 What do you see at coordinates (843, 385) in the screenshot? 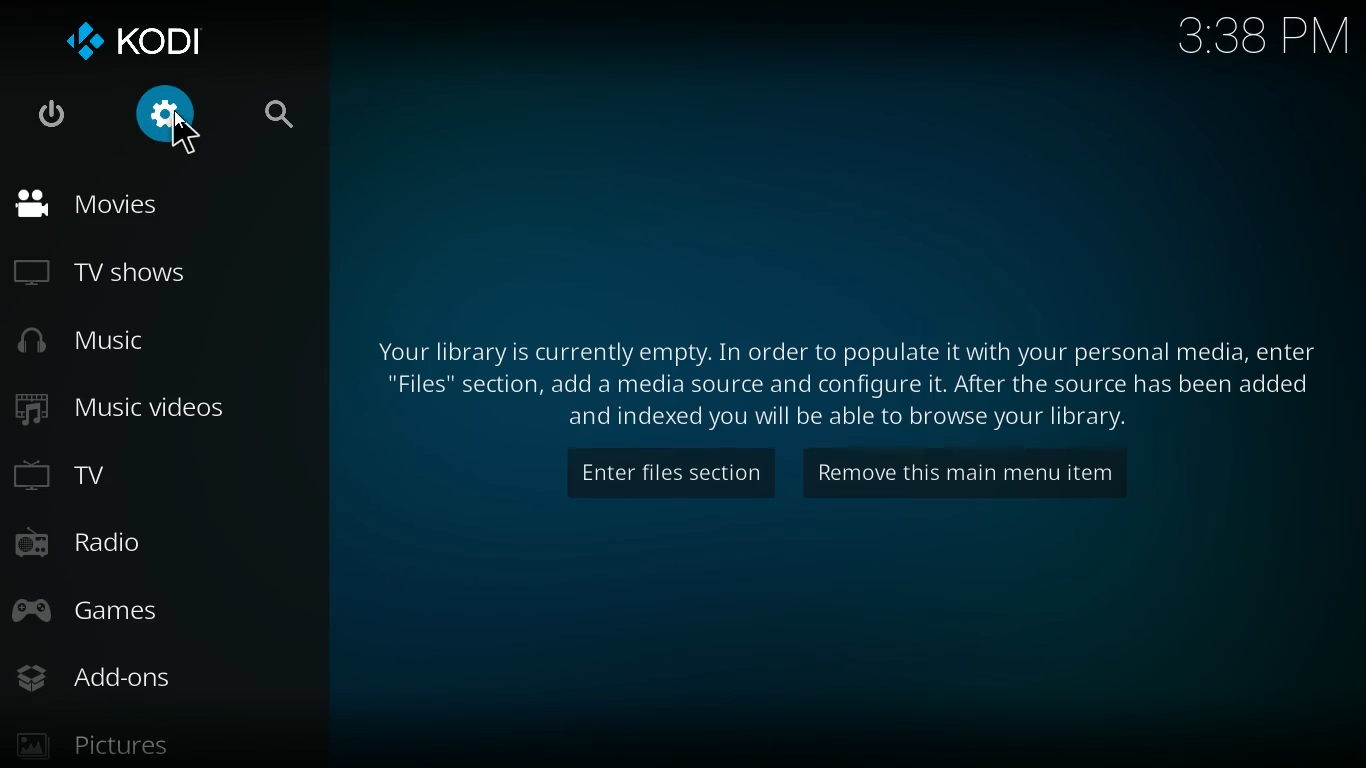
I see `Your library is currently empty. In order to populate it with your personal media, enter
"Files" section, add a media source and configure it. After the source has been added
and indexed you will be able to browse your library.` at bounding box center [843, 385].